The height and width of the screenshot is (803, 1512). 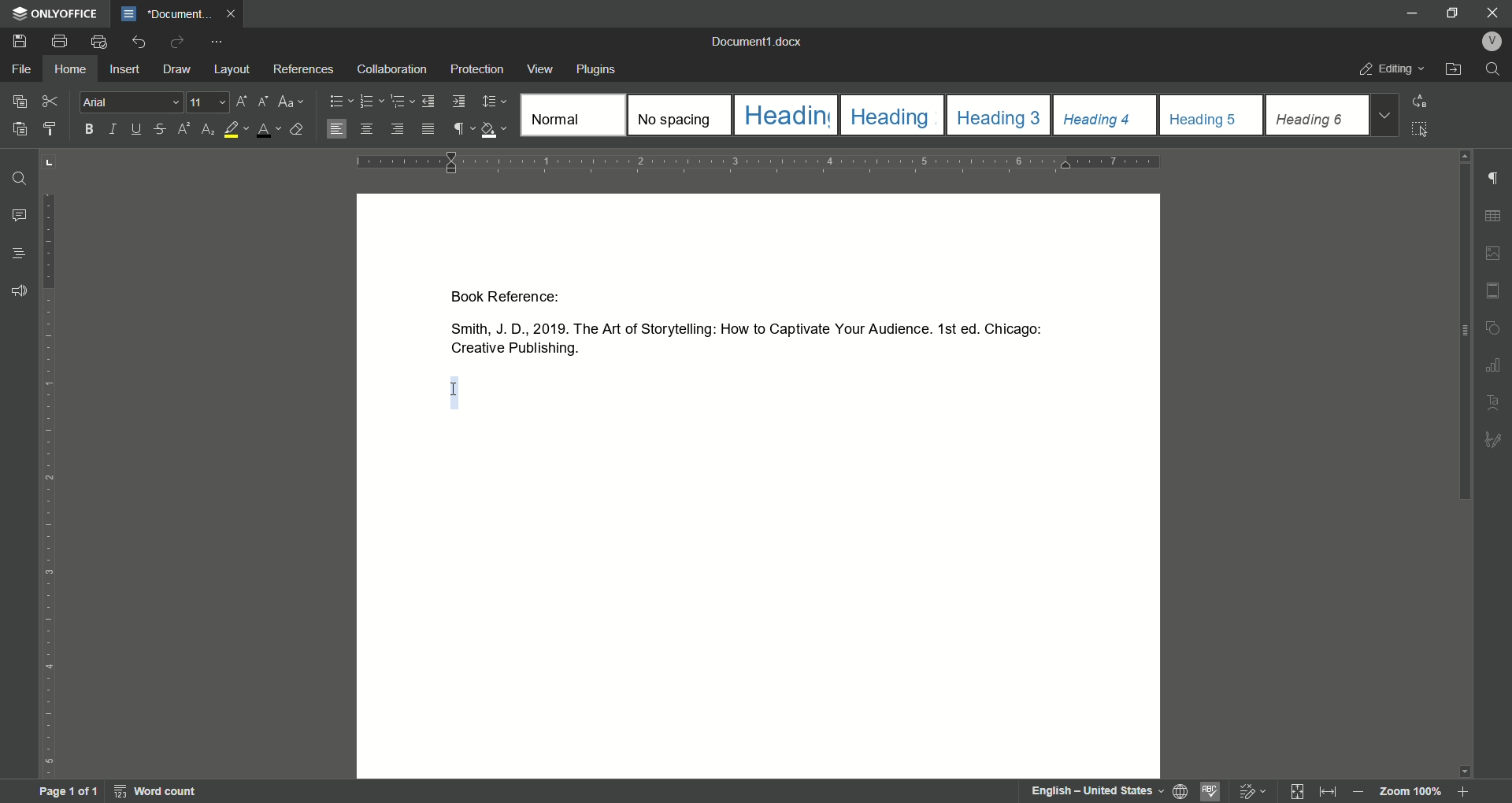 I want to click on bold, so click(x=87, y=129).